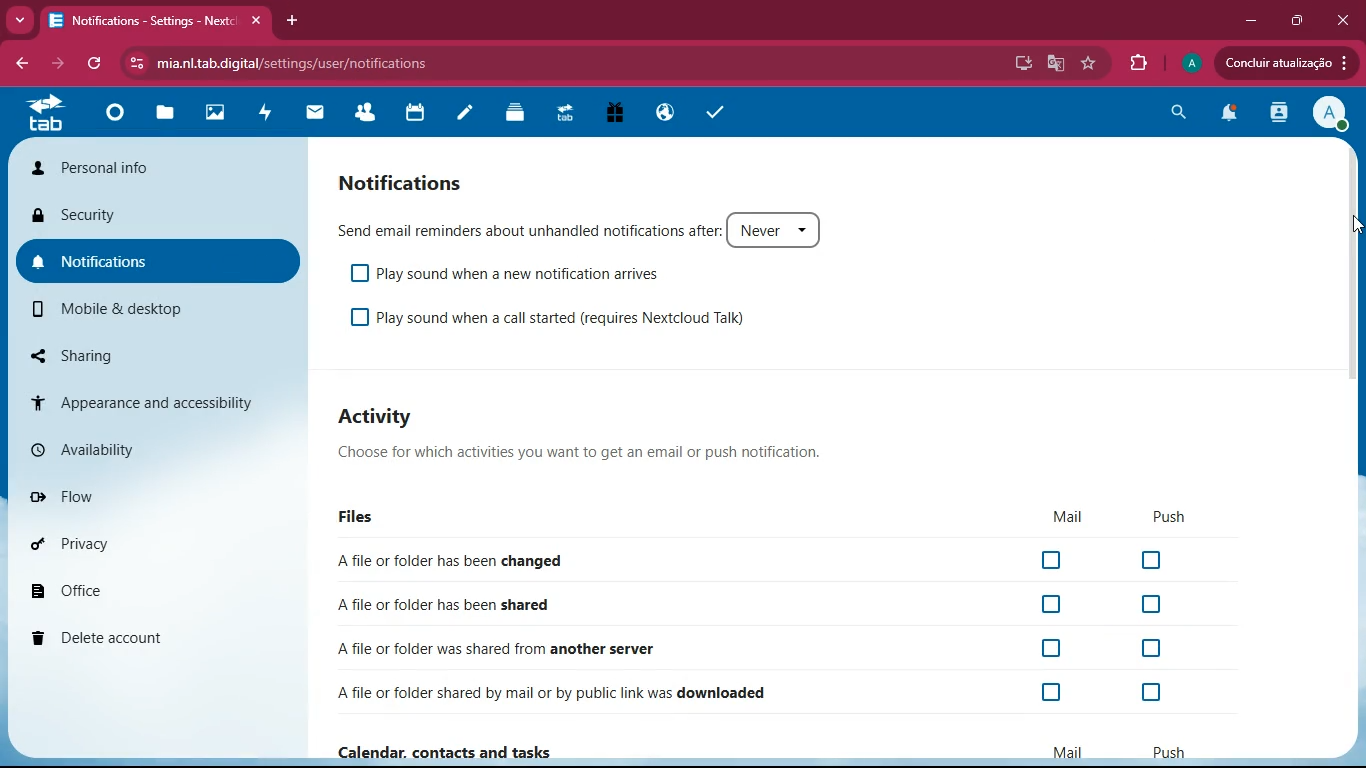 The width and height of the screenshot is (1366, 768). I want to click on Afile or folder has been shared, so click(448, 606).